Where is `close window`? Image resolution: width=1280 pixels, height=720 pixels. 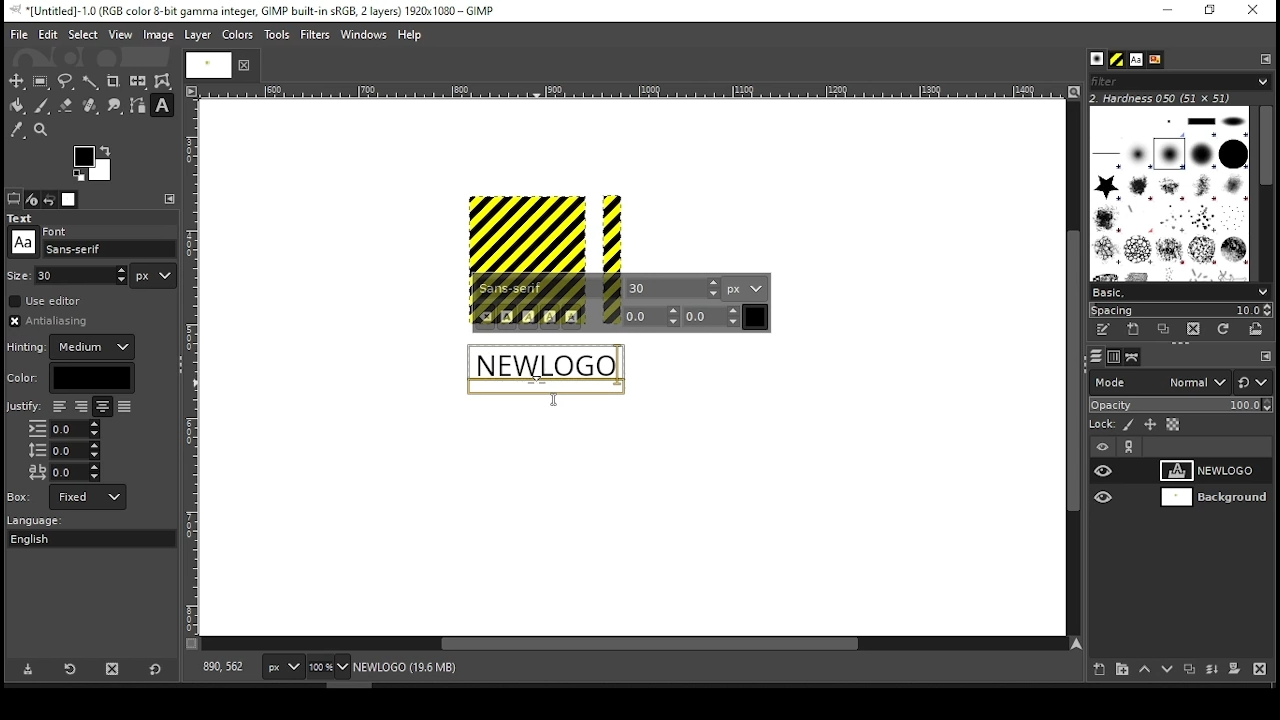 close window is located at coordinates (1252, 11).